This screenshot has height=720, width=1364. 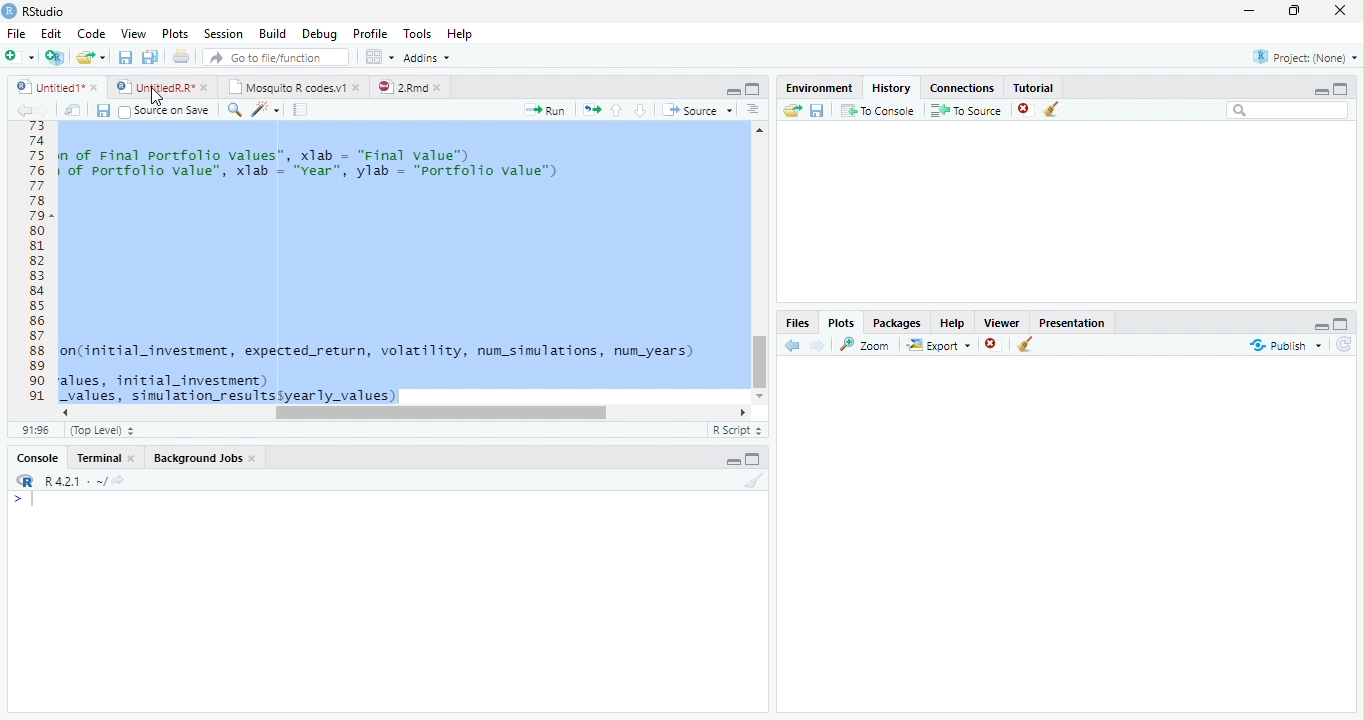 What do you see at coordinates (952, 322) in the screenshot?
I see `Help` at bounding box center [952, 322].